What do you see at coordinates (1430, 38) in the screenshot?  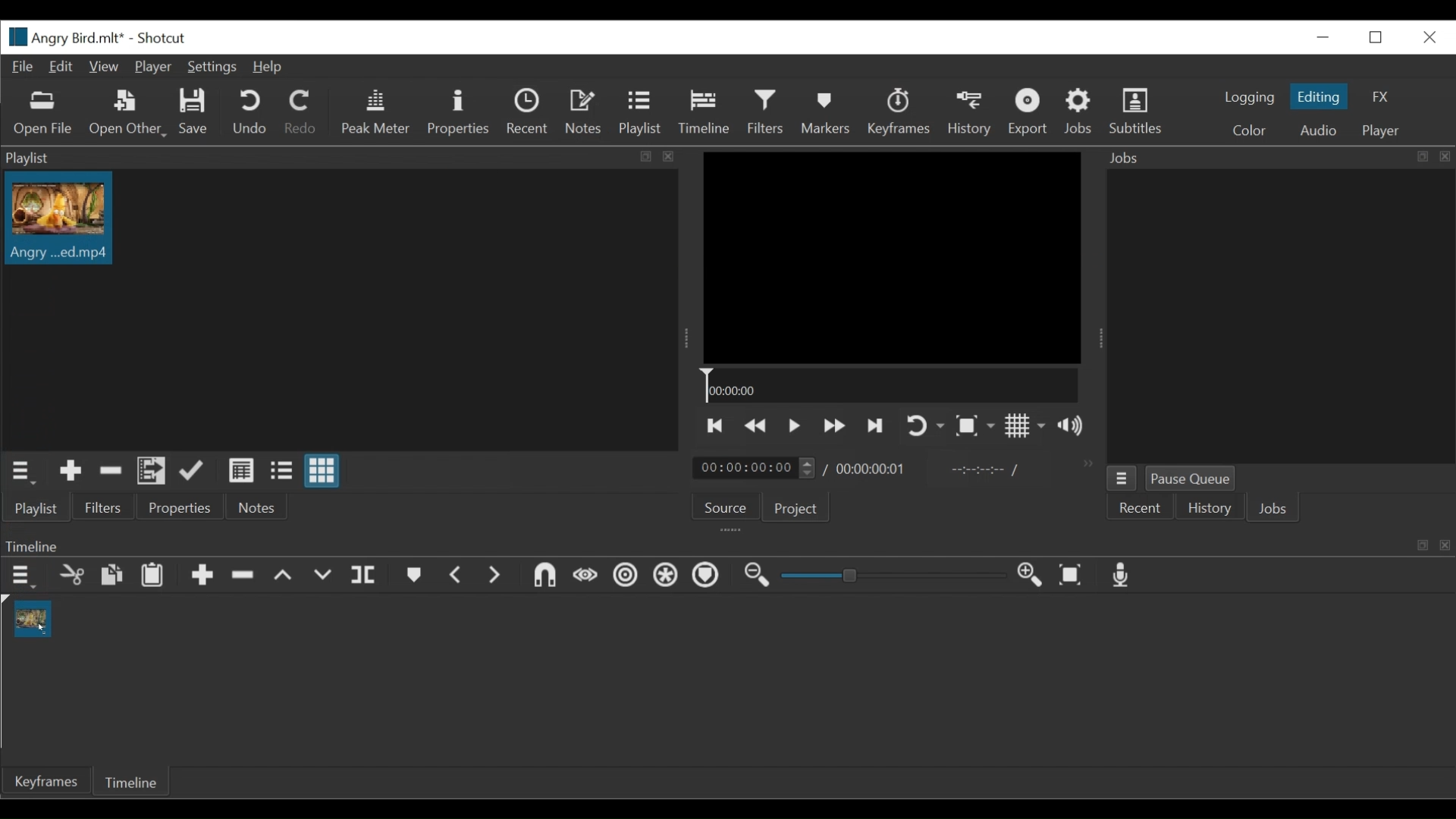 I see `Close` at bounding box center [1430, 38].